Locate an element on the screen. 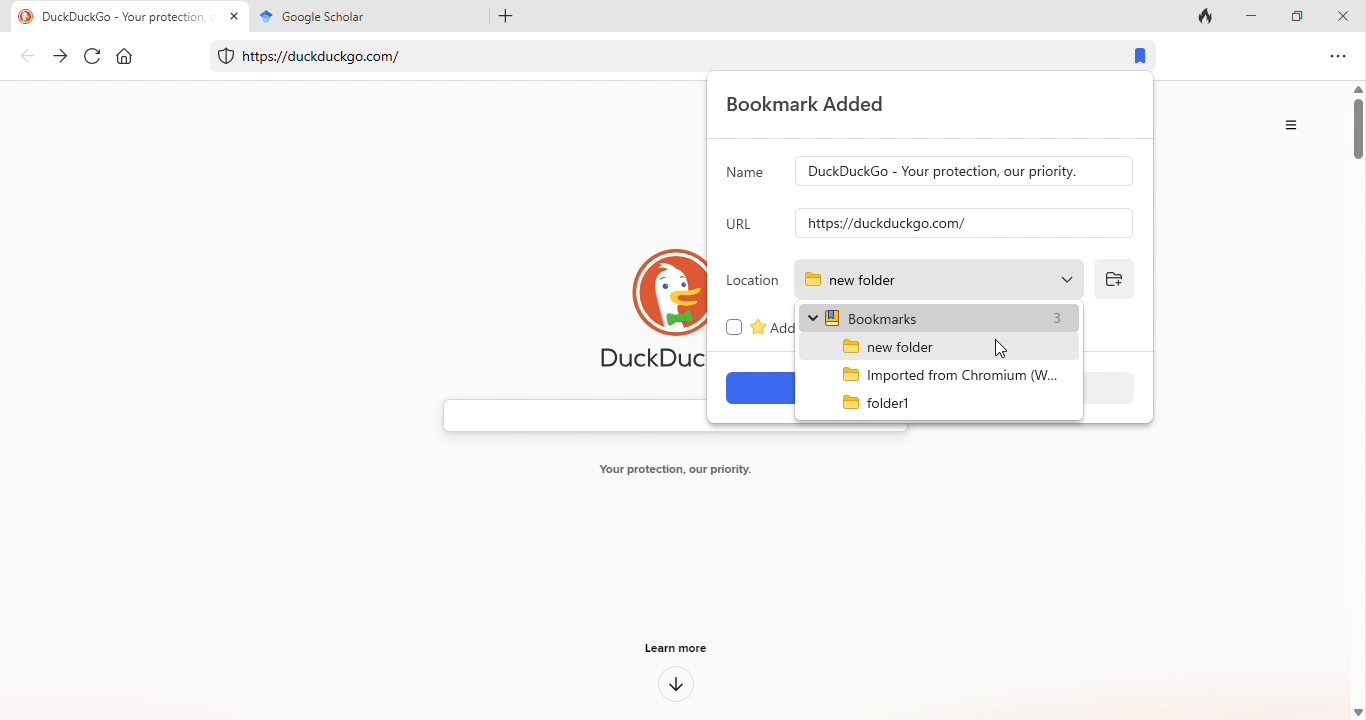  learn more is located at coordinates (681, 646).